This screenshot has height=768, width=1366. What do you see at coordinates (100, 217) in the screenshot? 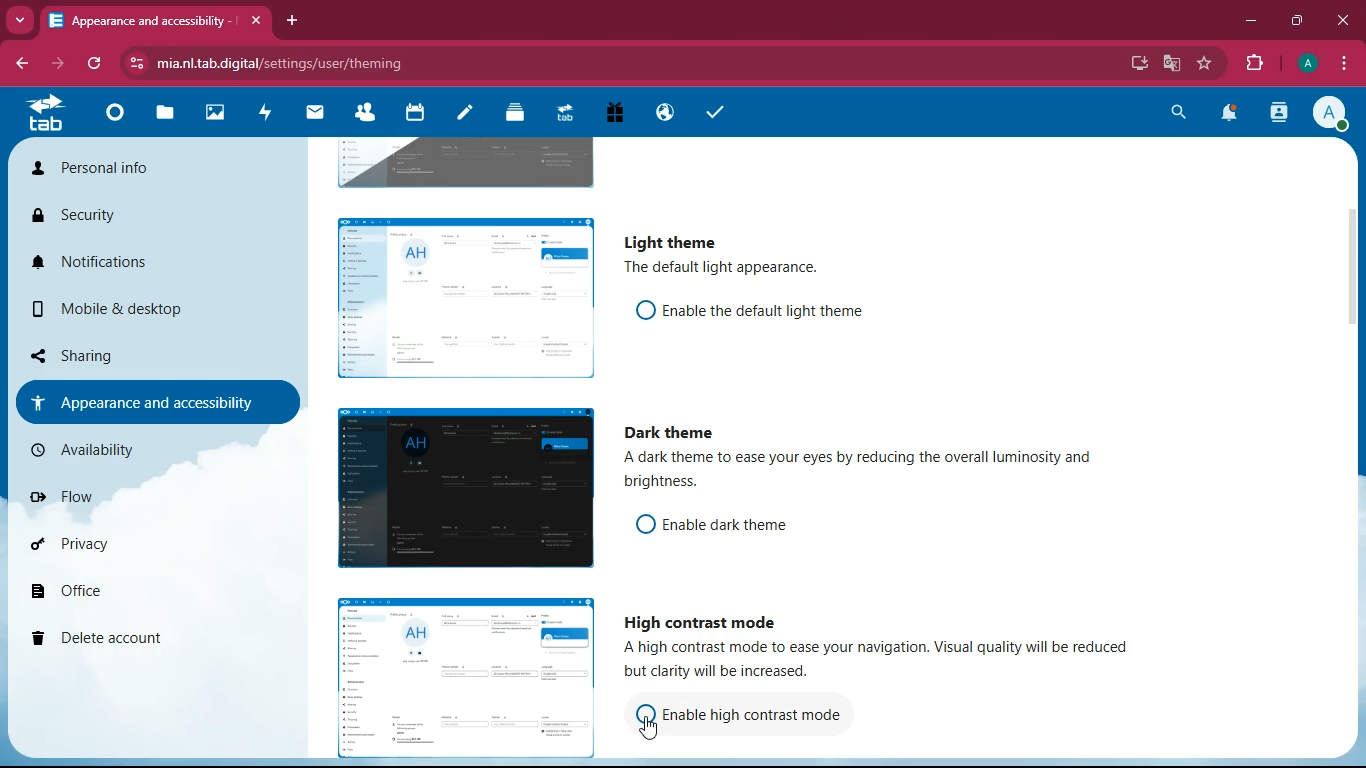
I see `security` at bounding box center [100, 217].